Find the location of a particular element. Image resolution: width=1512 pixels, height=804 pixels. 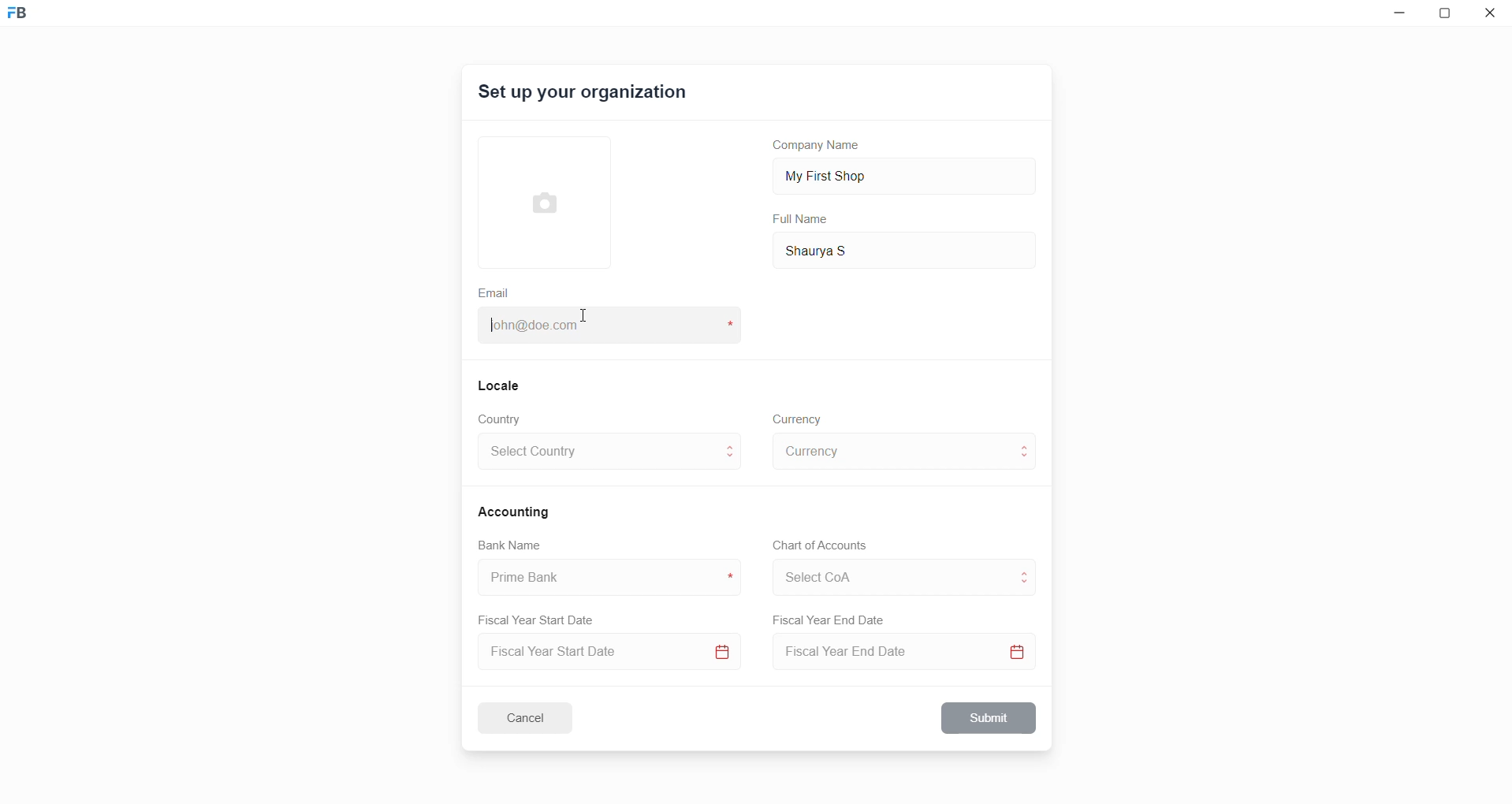

select currency is located at coordinates (891, 450).